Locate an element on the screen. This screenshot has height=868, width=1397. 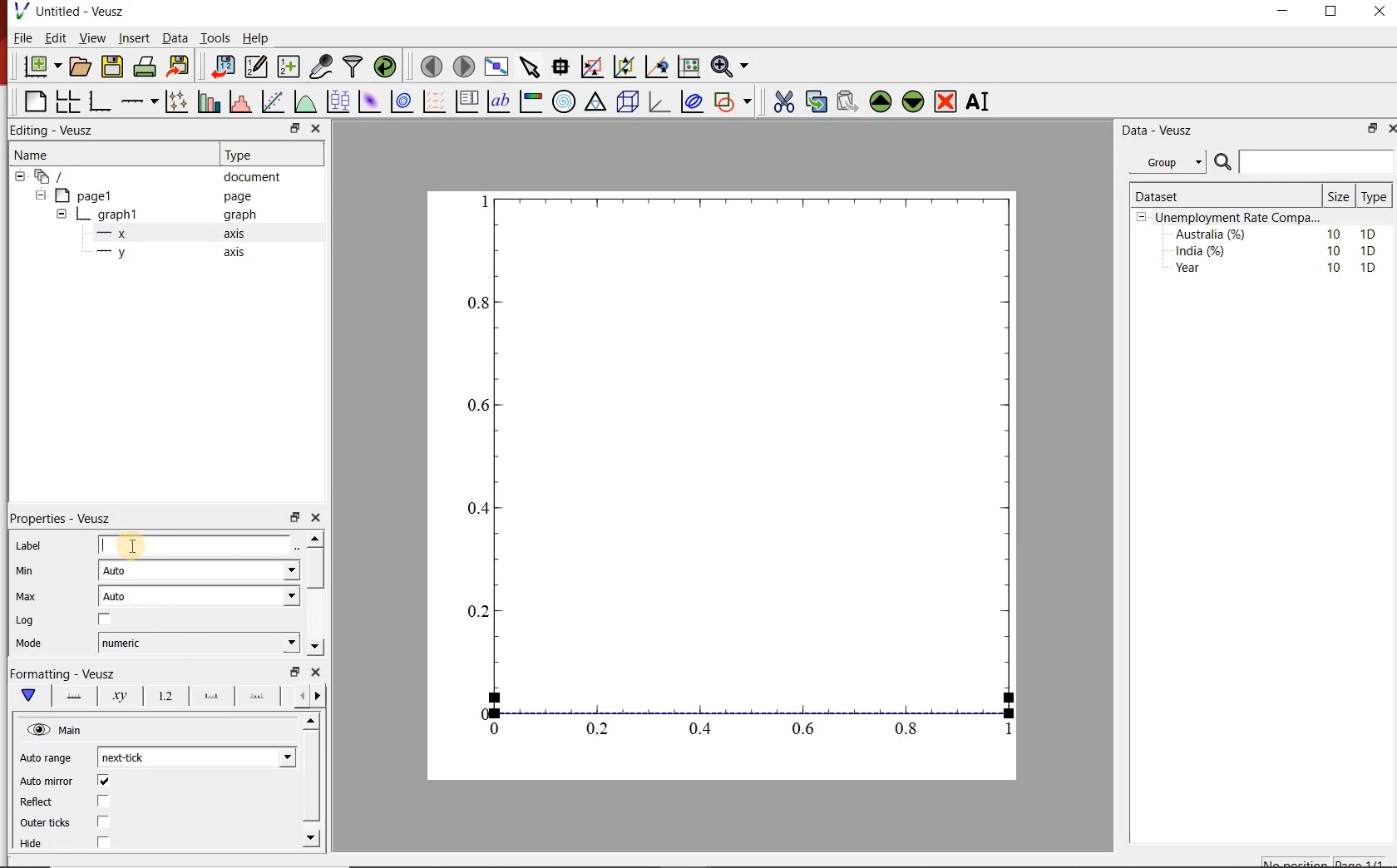
close is located at coordinates (317, 128).